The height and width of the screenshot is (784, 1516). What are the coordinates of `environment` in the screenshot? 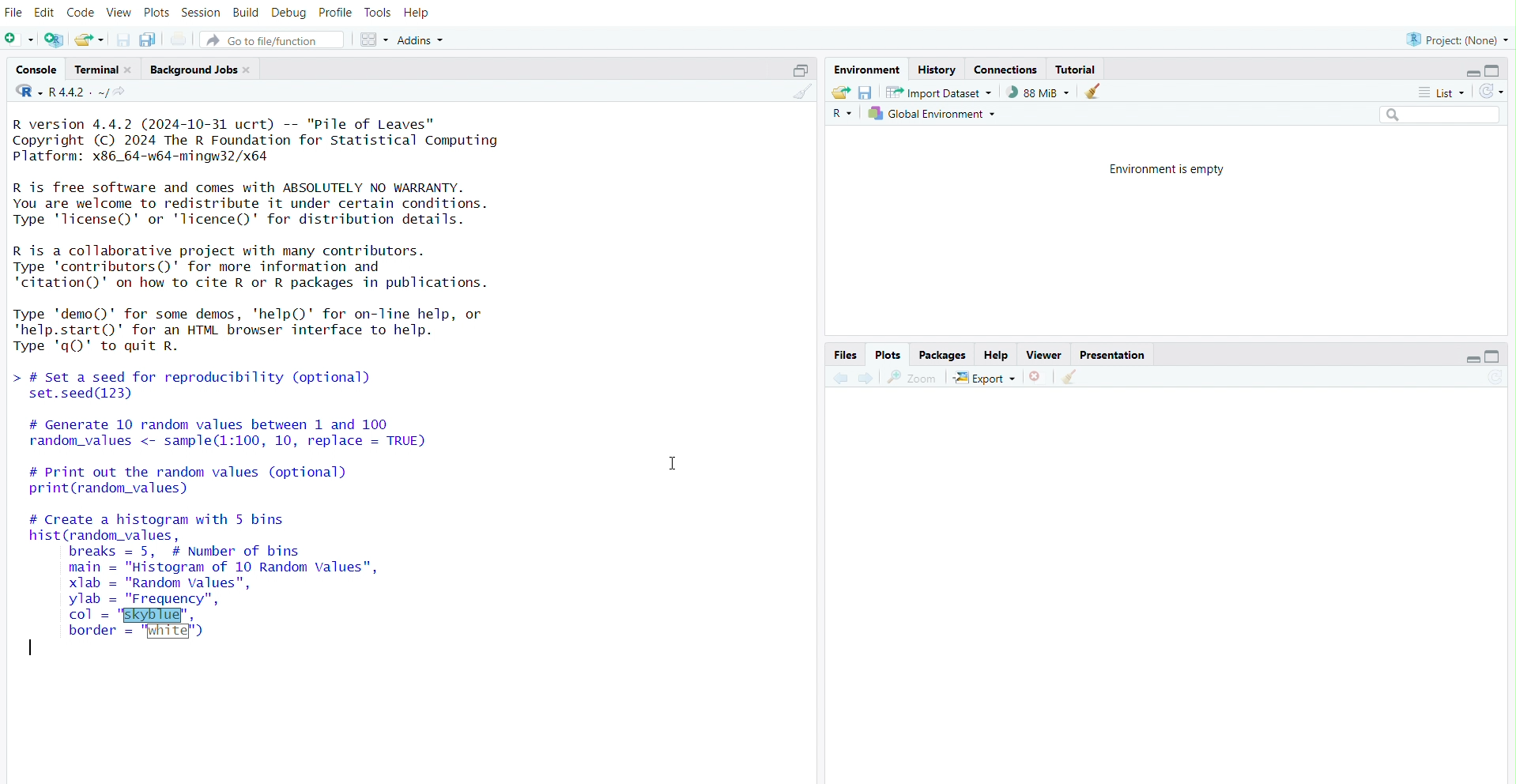 It's located at (867, 68).